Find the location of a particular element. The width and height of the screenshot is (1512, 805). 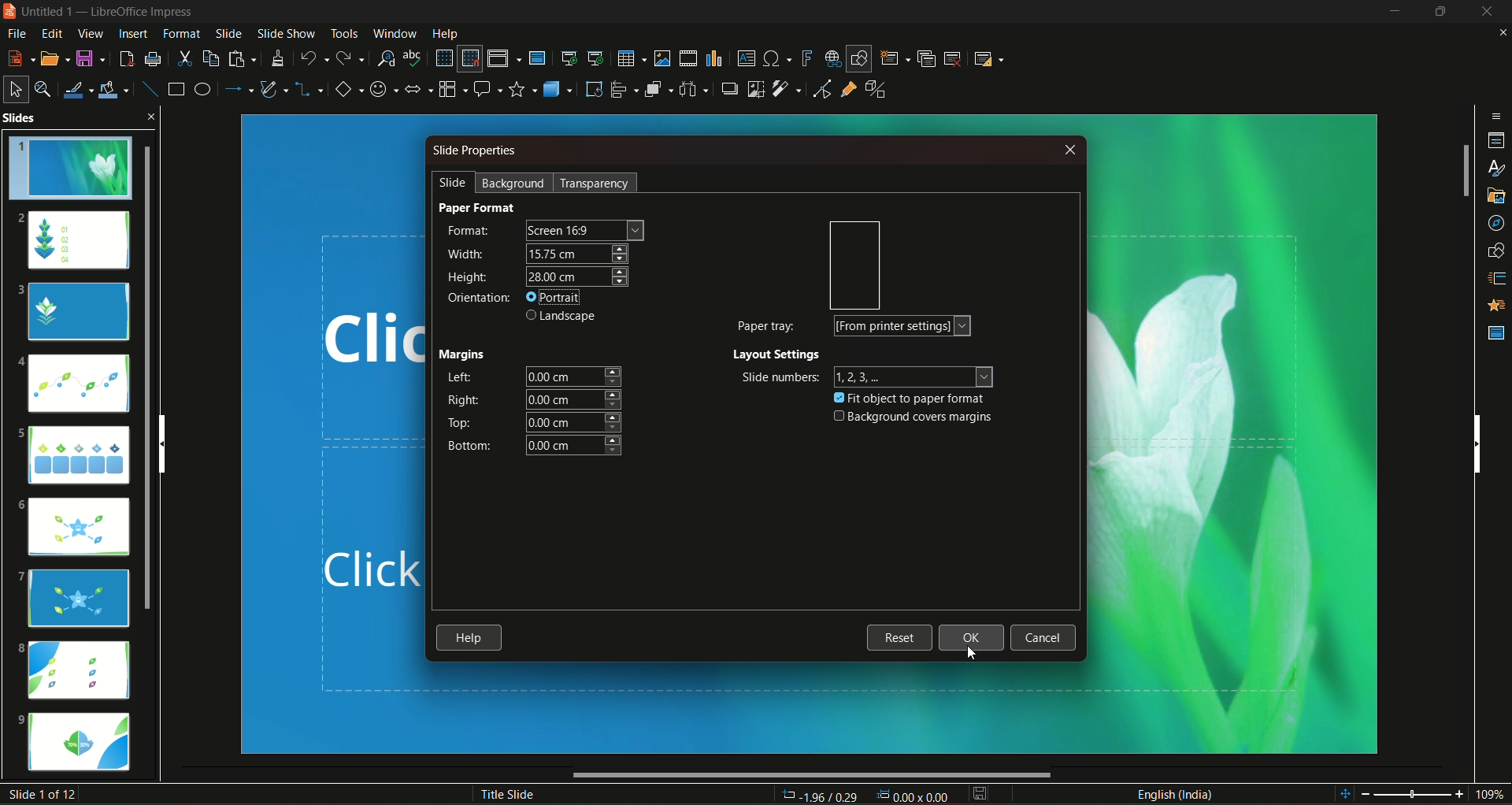

slide 6 is located at coordinates (79, 529).